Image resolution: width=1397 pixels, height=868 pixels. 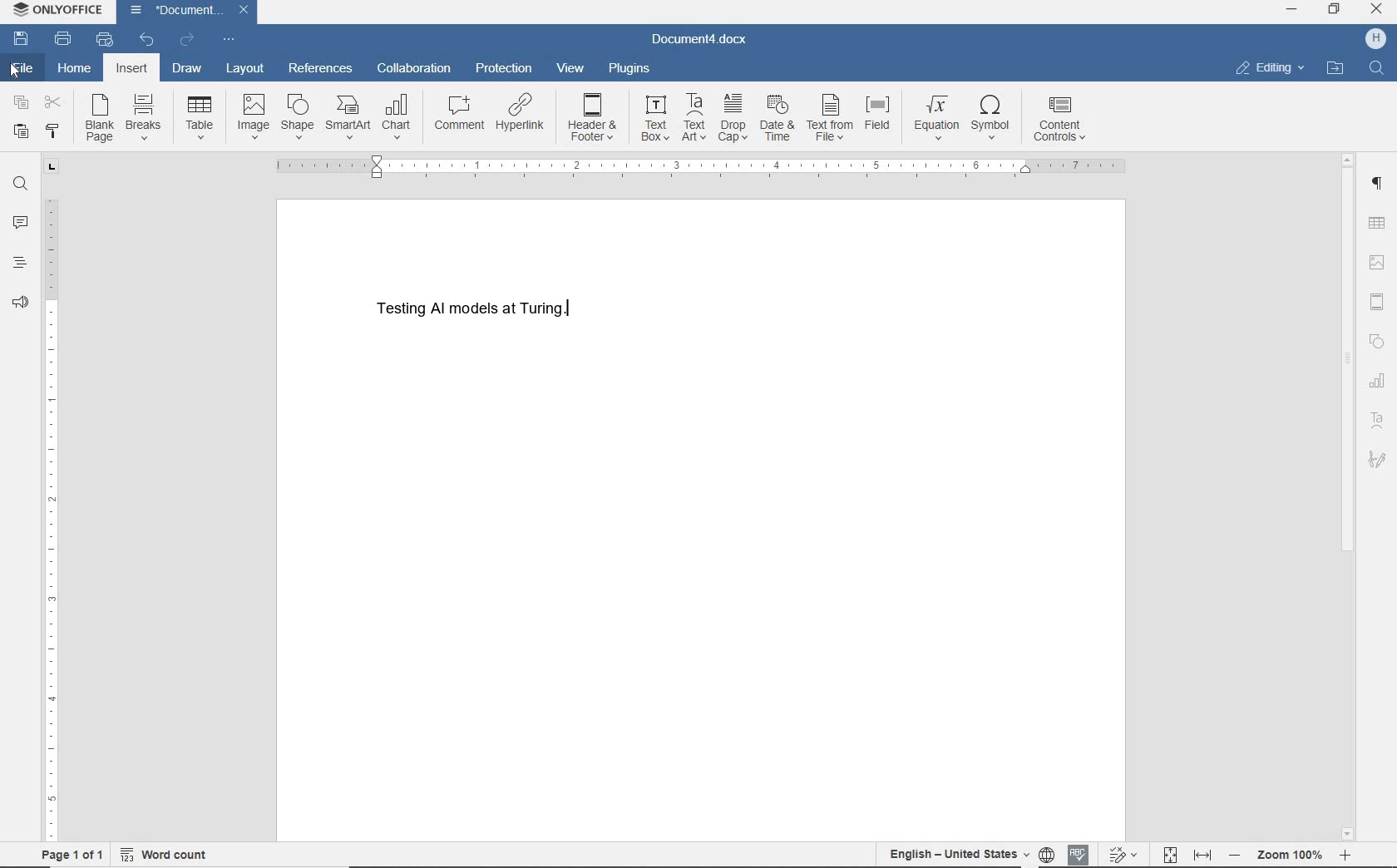 I want to click on symbol, so click(x=993, y=118).